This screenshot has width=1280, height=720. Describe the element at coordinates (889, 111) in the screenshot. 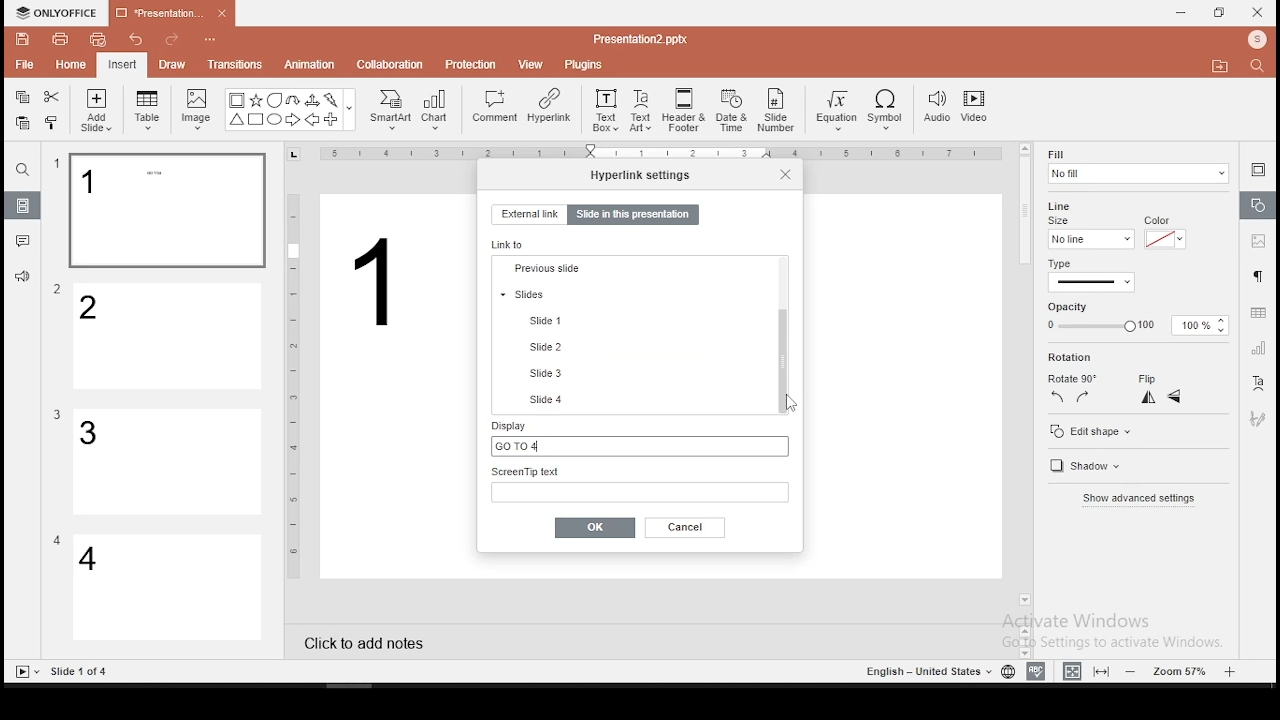

I see `symbol` at that location.